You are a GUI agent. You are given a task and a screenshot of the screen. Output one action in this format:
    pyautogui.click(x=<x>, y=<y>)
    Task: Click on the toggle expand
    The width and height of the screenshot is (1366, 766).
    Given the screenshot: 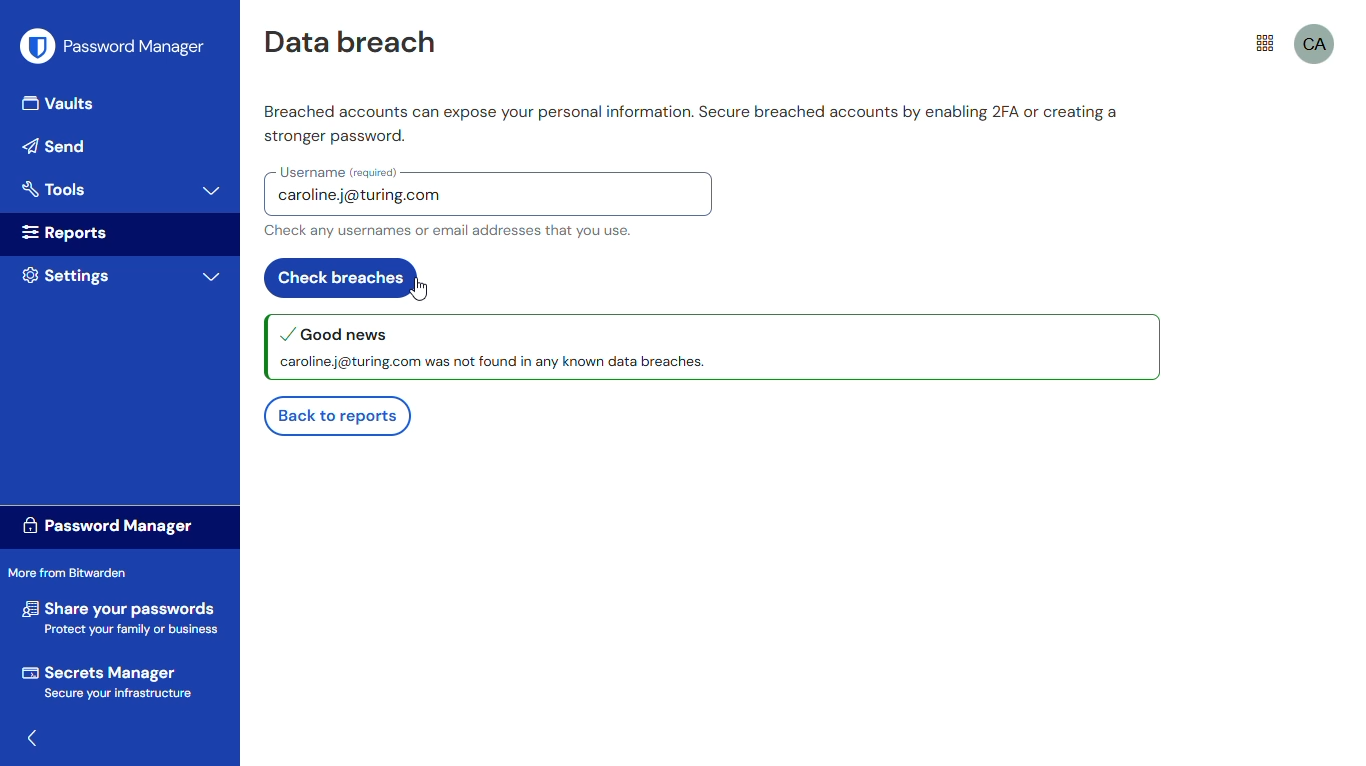 What is the action you would take?
    pyautogui.click(x=212, y=277)
    